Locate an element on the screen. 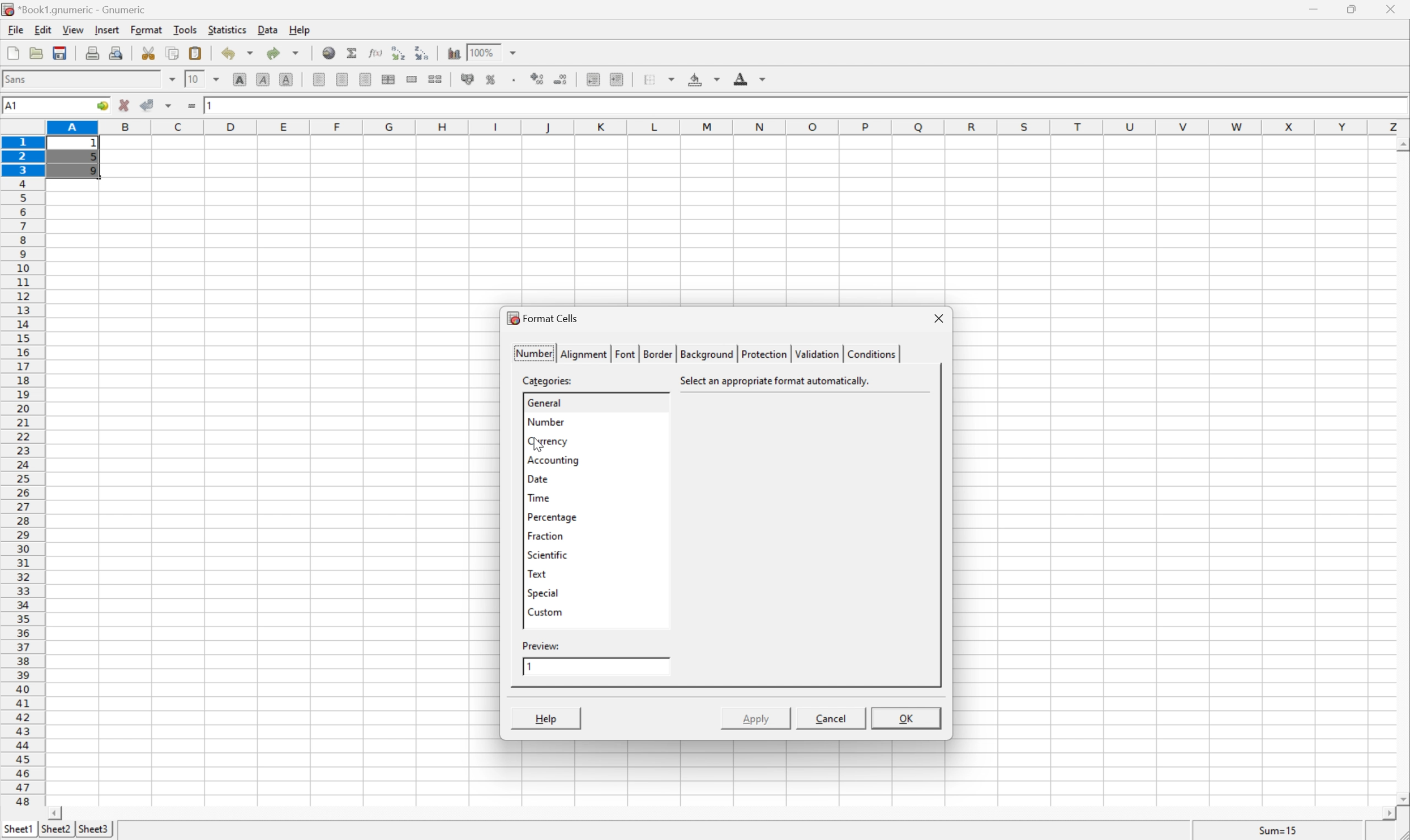 This screenshot has width=1410, height=840. increase indent is located at coordinates (618, 79).